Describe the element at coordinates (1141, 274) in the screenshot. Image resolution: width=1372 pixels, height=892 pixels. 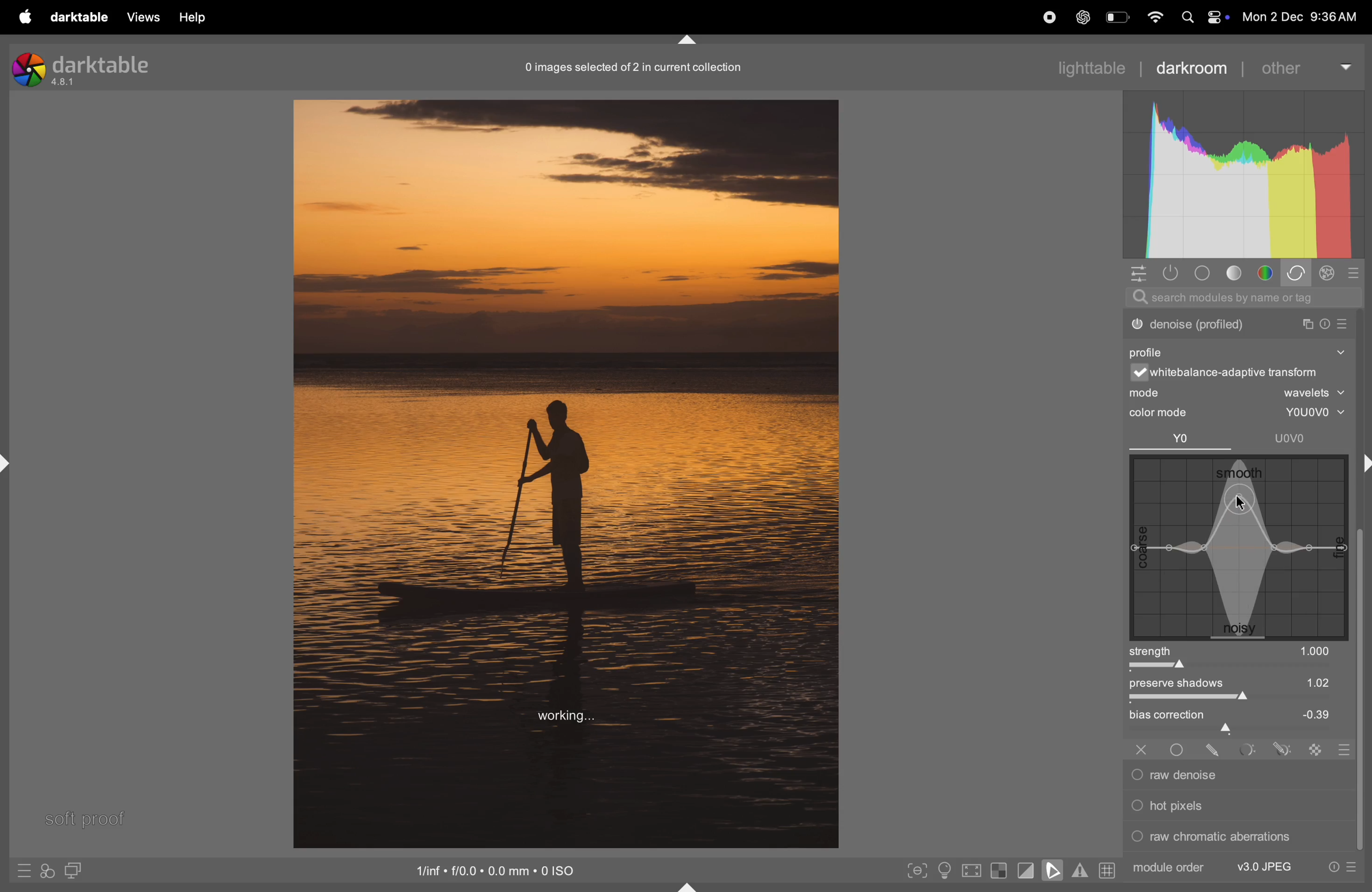
I see `quick acess panel` at that location.